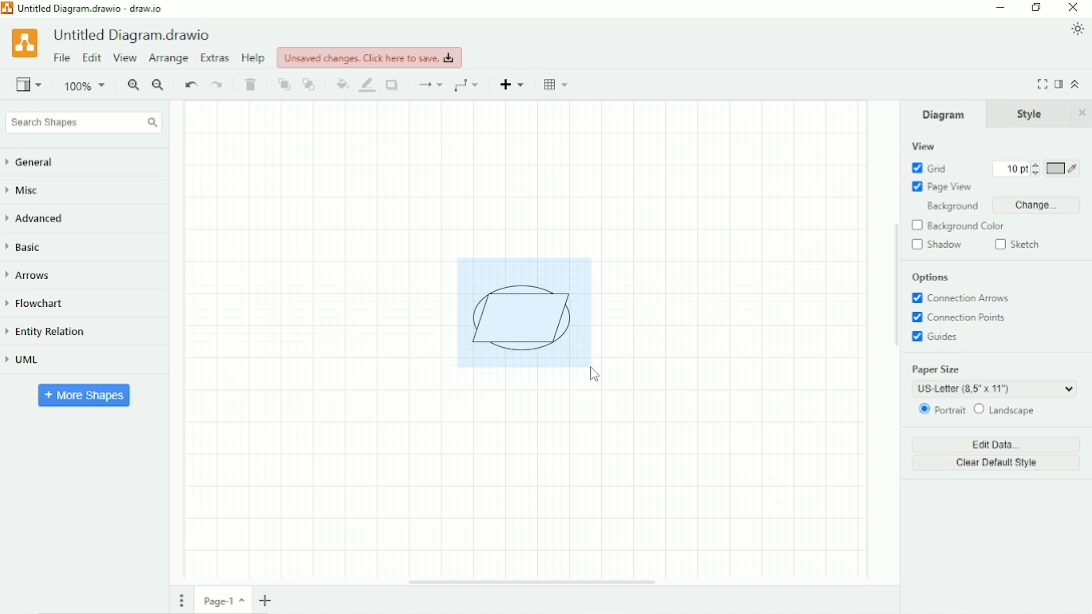 The width and height of the screenshot is (1092, 614). What do you see at coordinates (1076, 83) in the screenshot?
I see `Collapse/Expand` at bounding box center [1076, 83].